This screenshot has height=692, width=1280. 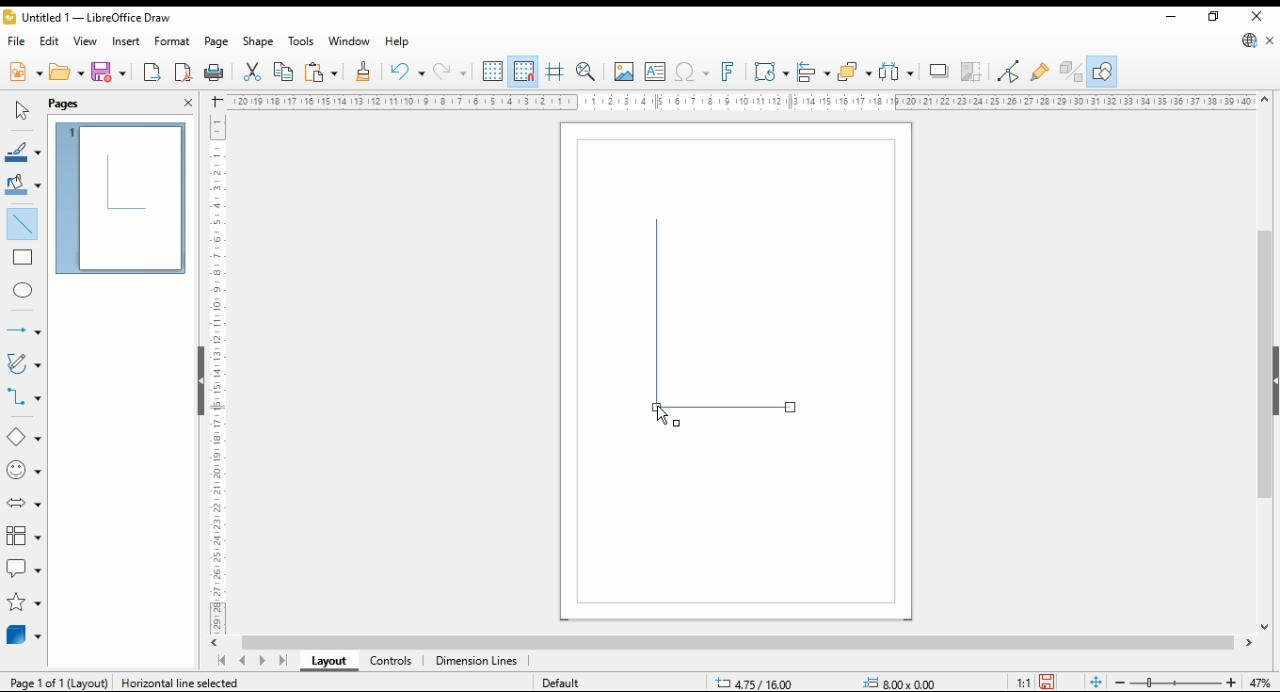 What do you see at coordinates (390, 662) in the screenshot?
I see `controls` at bounding box center [390, 662].